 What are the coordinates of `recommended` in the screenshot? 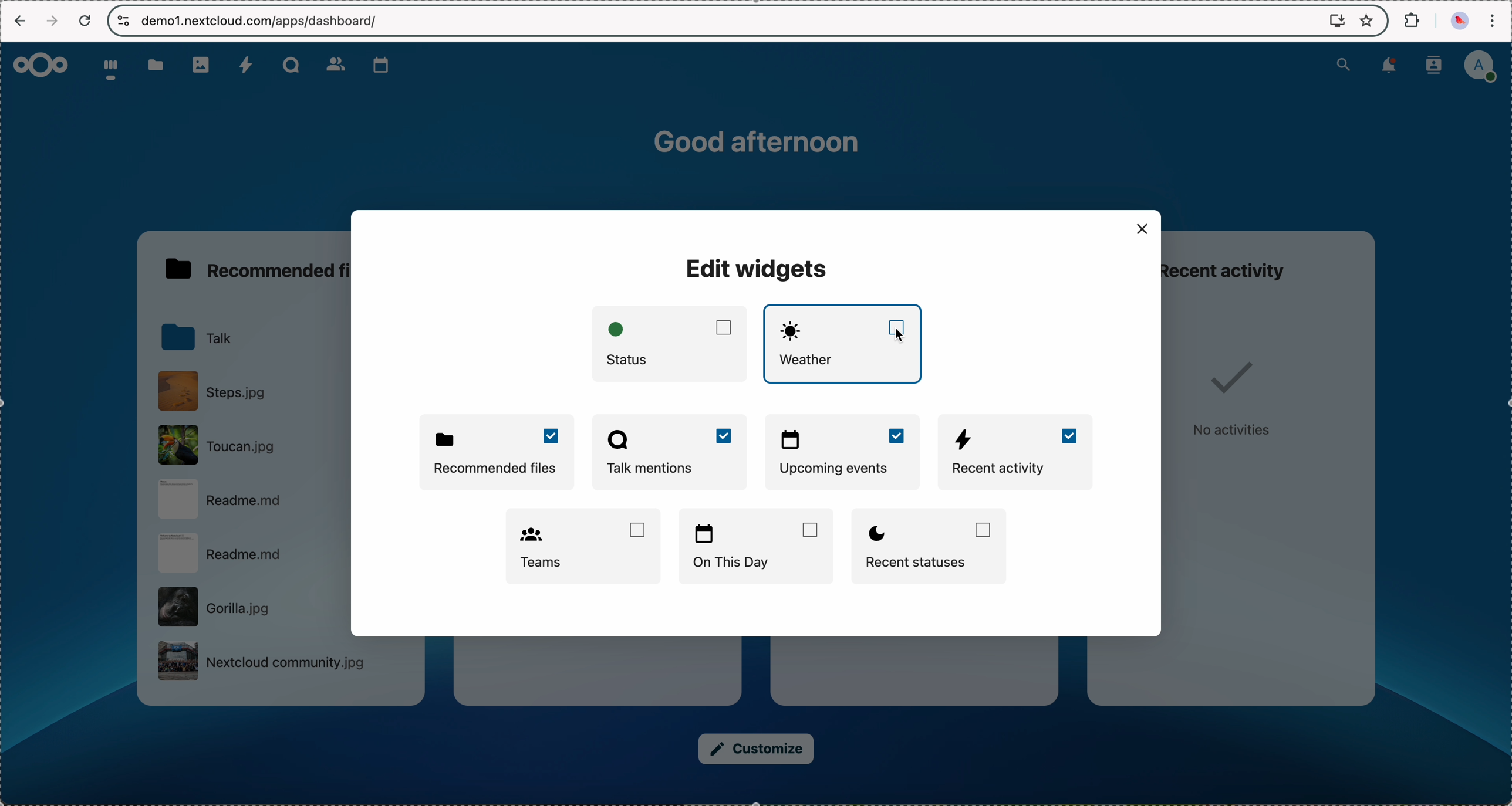 It's located at (257, 267).